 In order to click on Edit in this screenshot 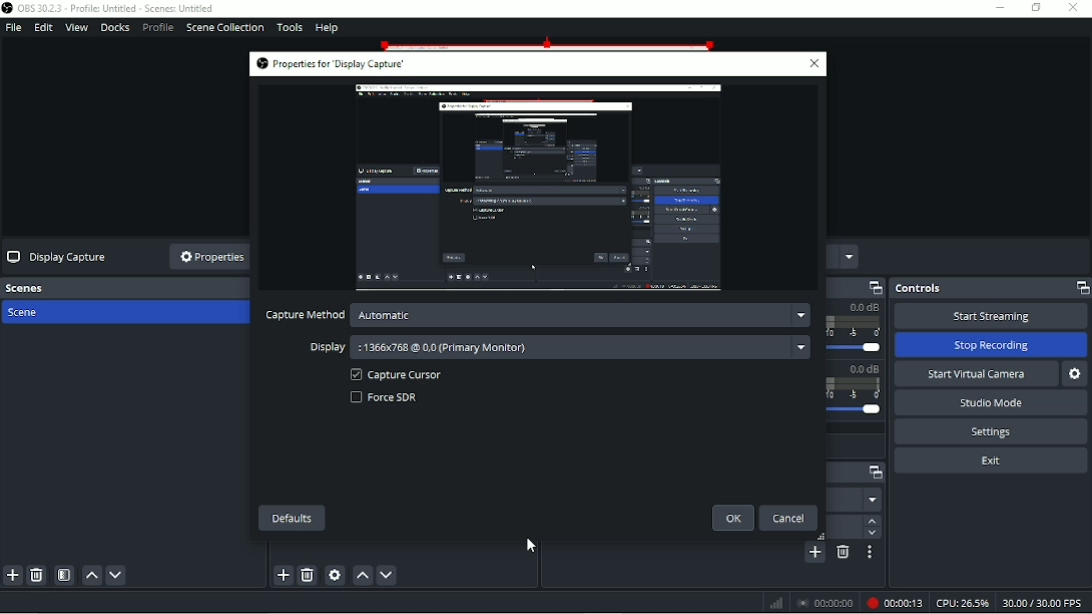, I will do `click(44, 27)`.